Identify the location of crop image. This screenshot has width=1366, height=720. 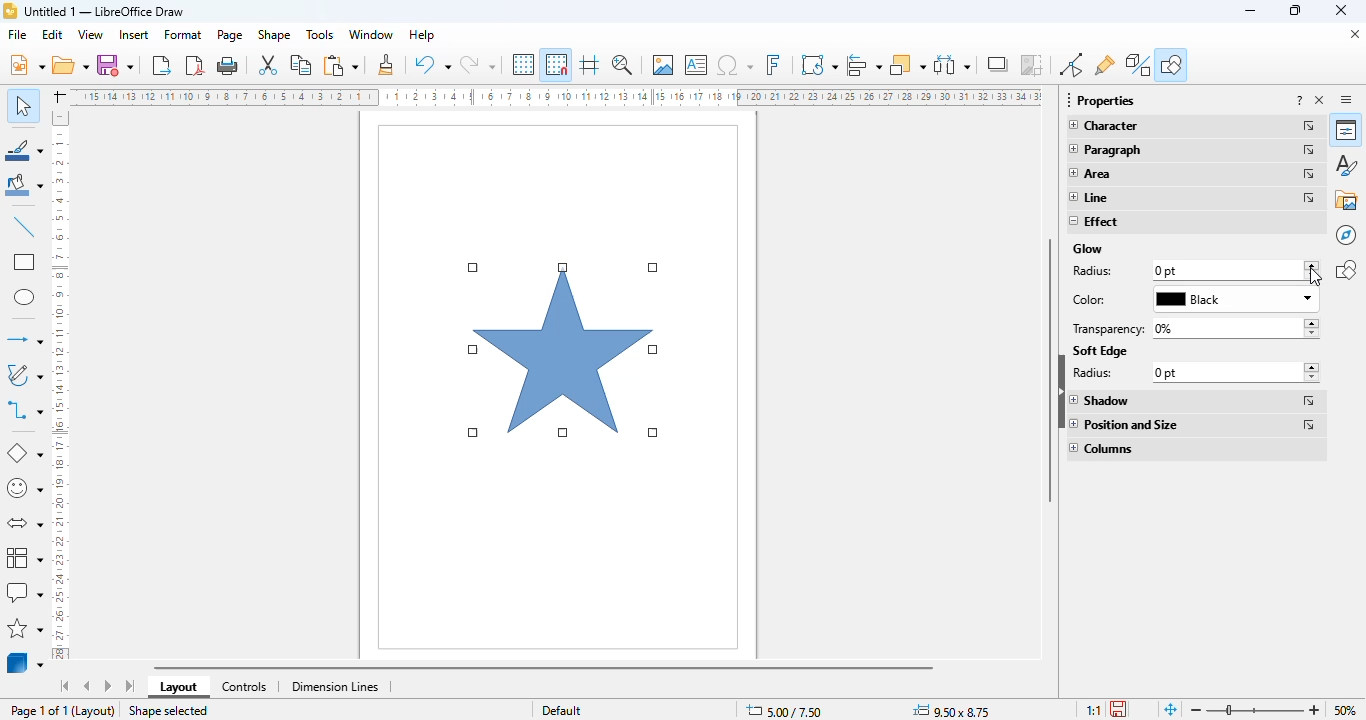
(1032, 64).